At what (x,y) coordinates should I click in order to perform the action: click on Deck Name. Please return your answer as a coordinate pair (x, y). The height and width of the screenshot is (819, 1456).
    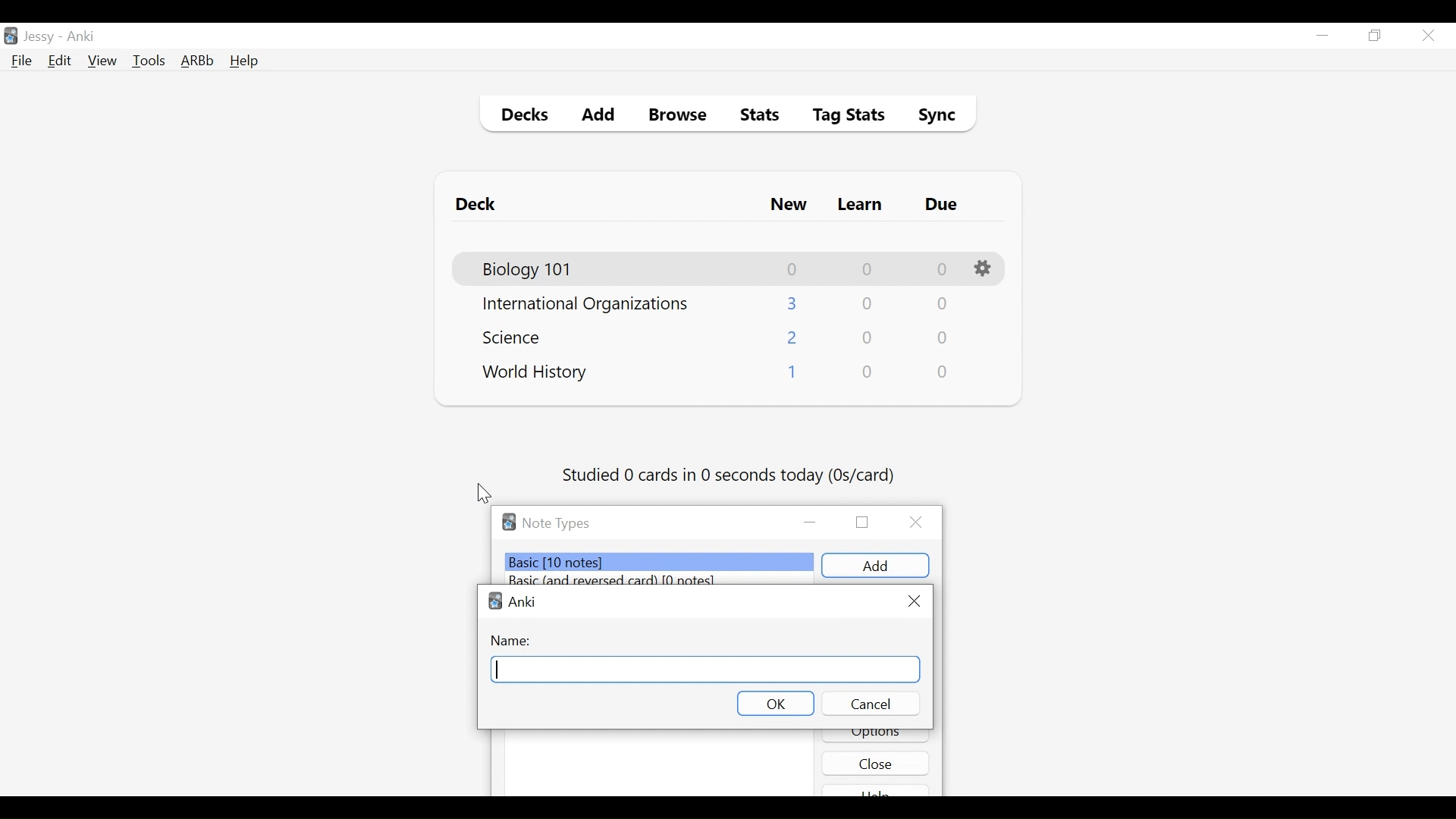
    Looking at the image, I should click on (535, 373).